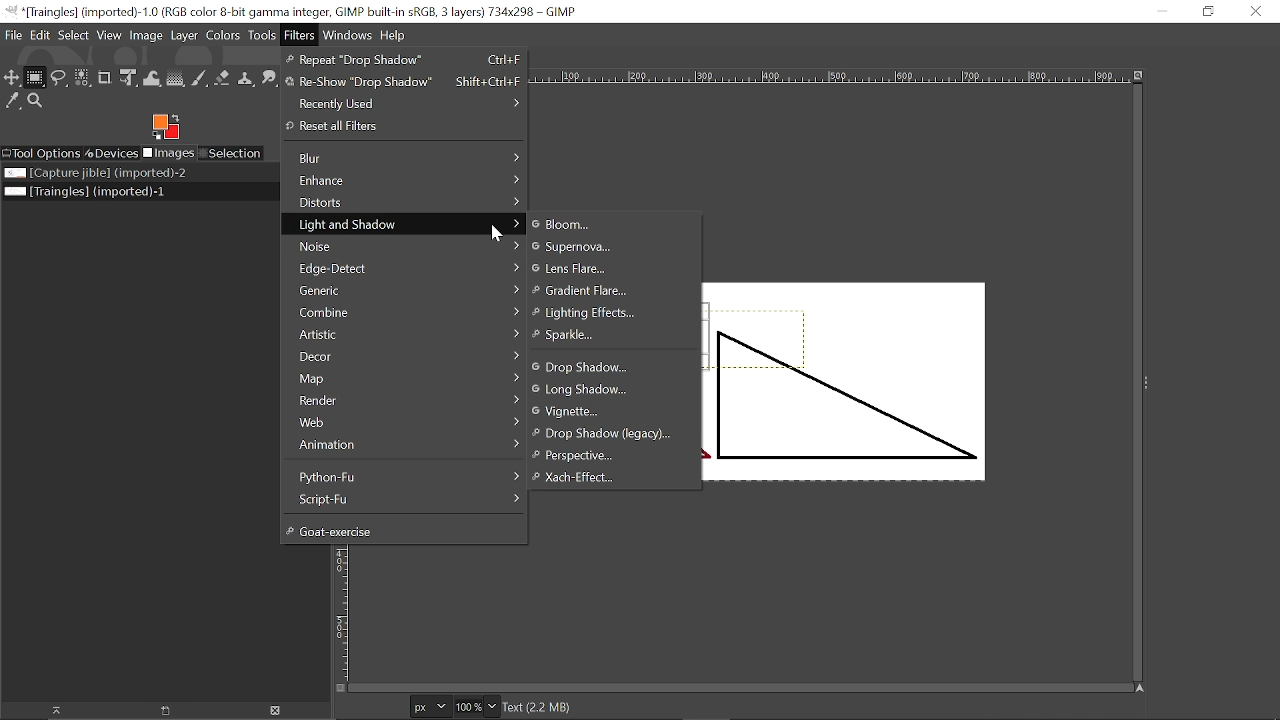  I want to click on Xach-Effect, so click(602, 479).